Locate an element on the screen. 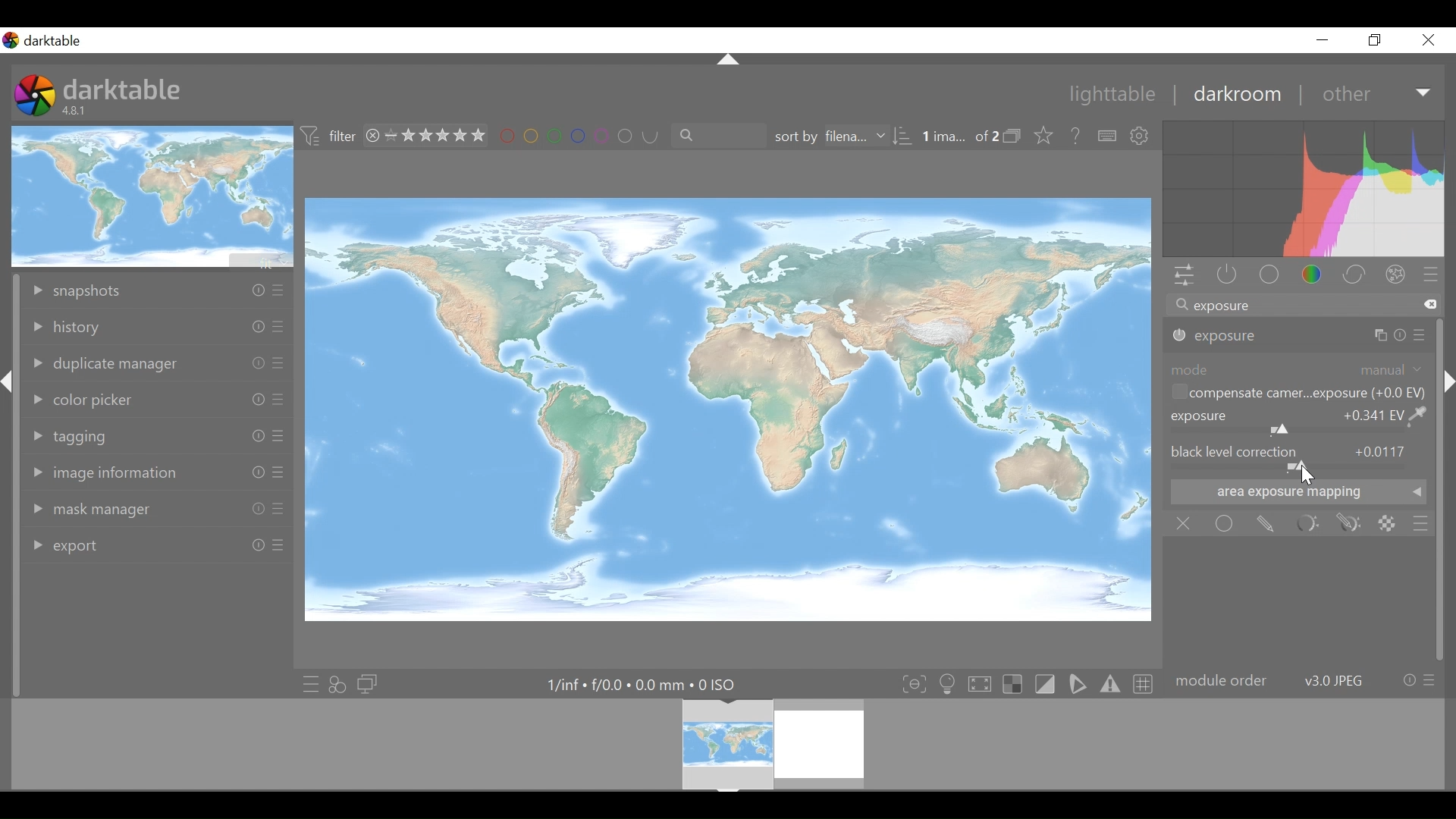 The image size is (1456, 819). image preview is located at coordinates (152, 196).